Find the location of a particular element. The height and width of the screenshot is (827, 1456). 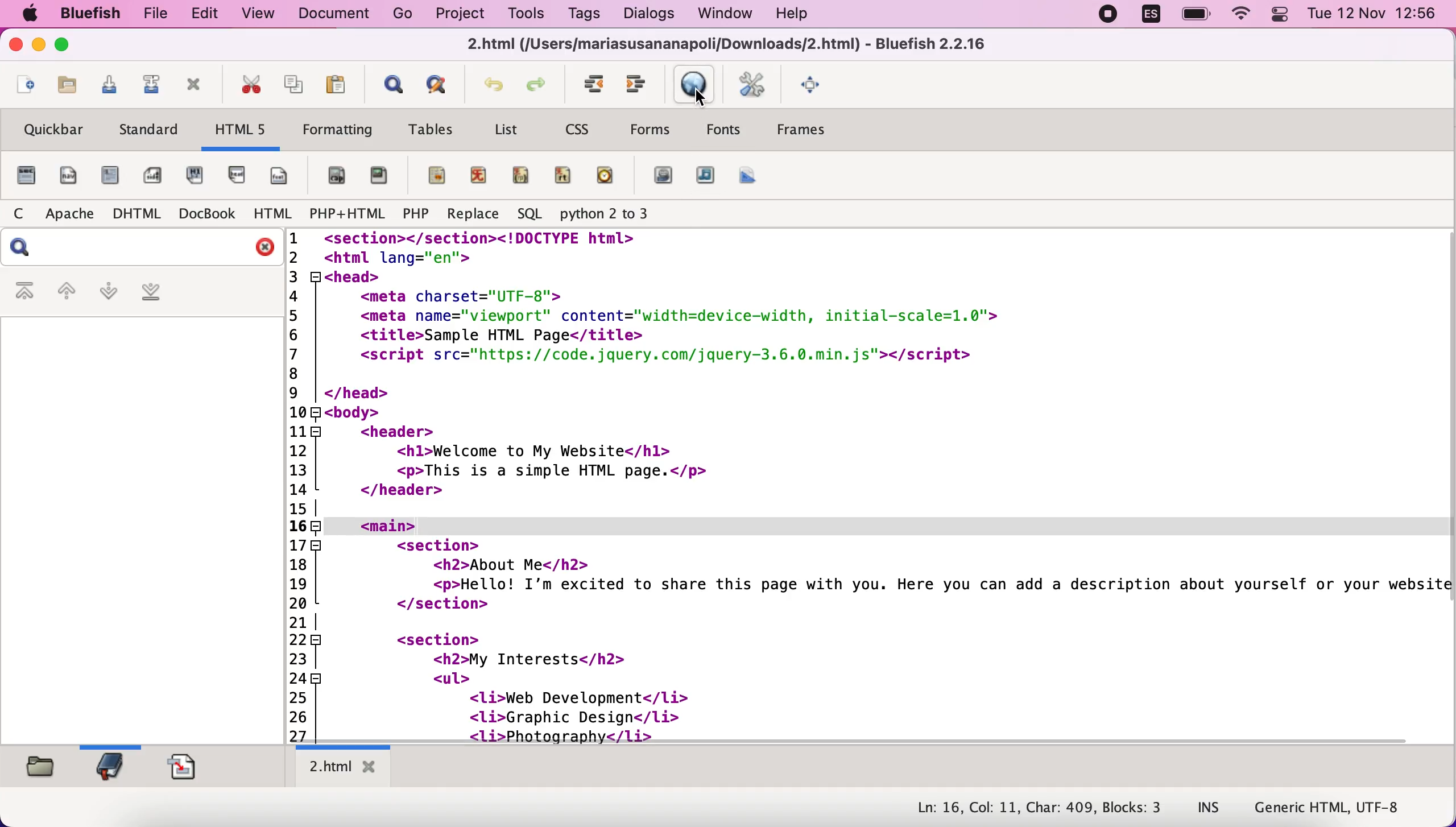

right justify is located at coordinates (522, 176).